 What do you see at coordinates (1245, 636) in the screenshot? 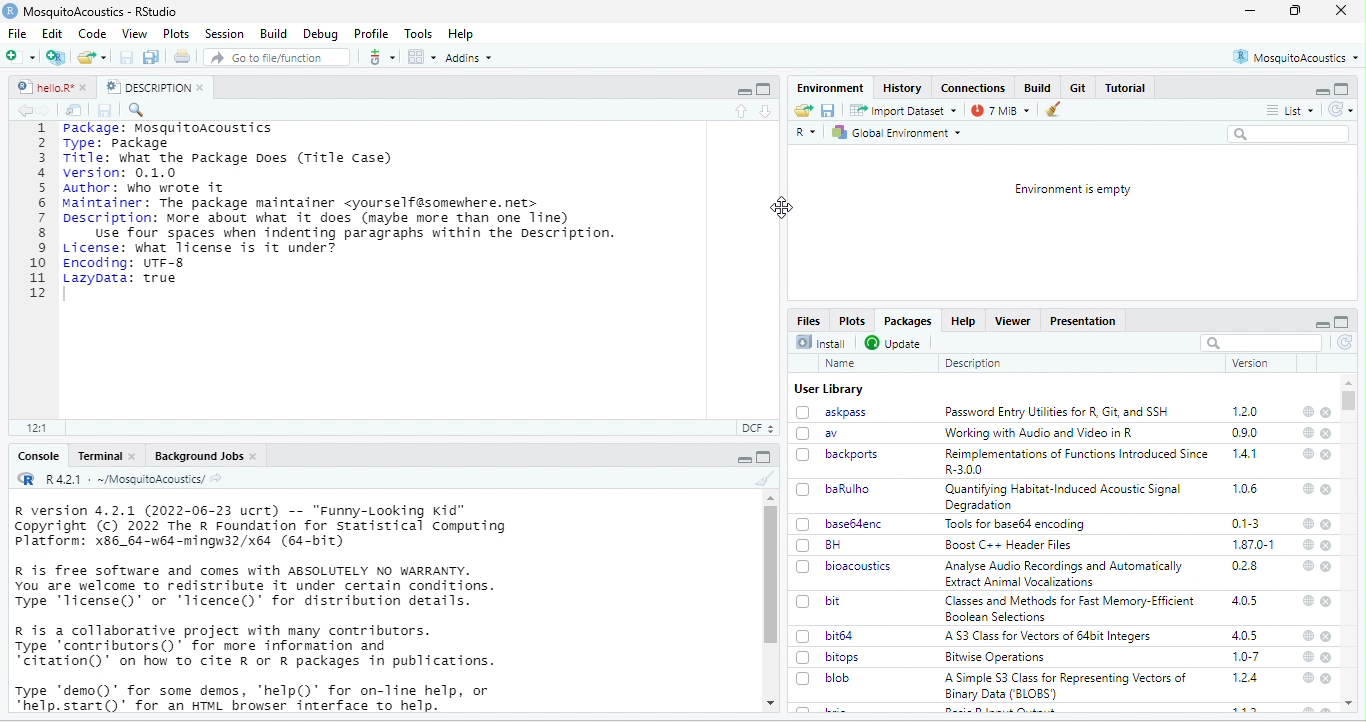
I see `4.0.5` at bounding box center [1245, 636].